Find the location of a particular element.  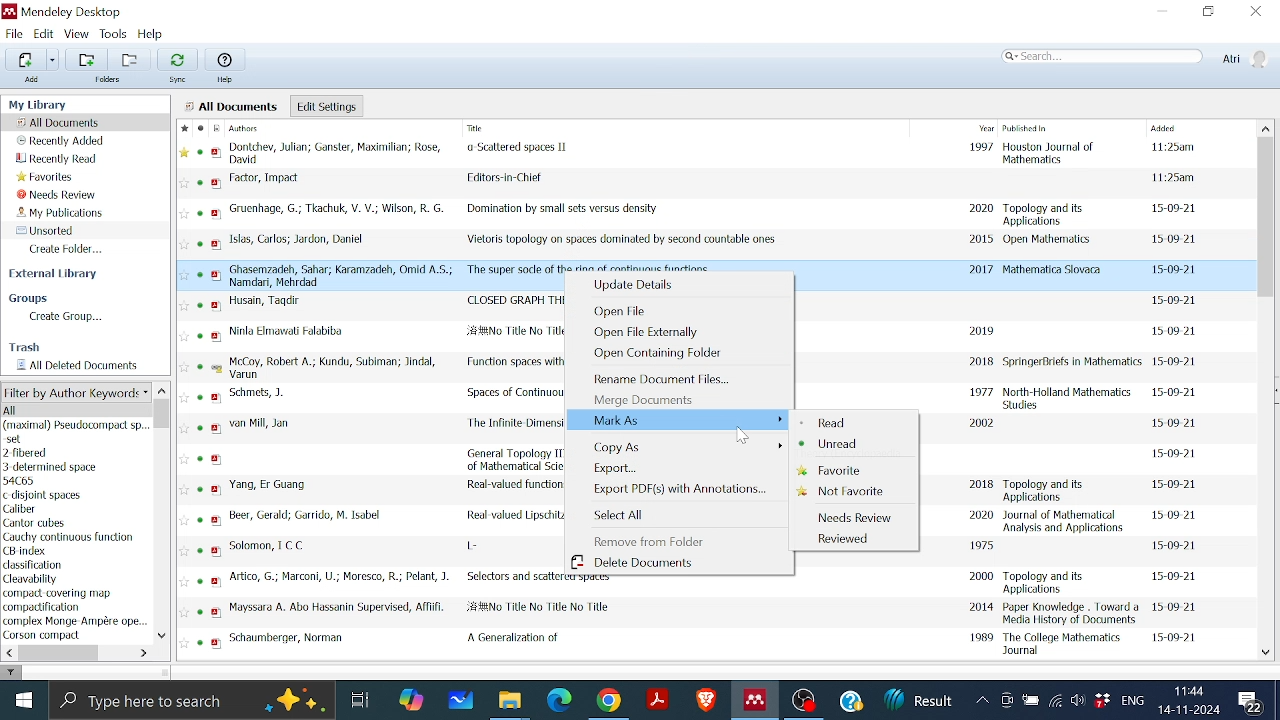

 File Details Columns is located at coordinates (704, 129).